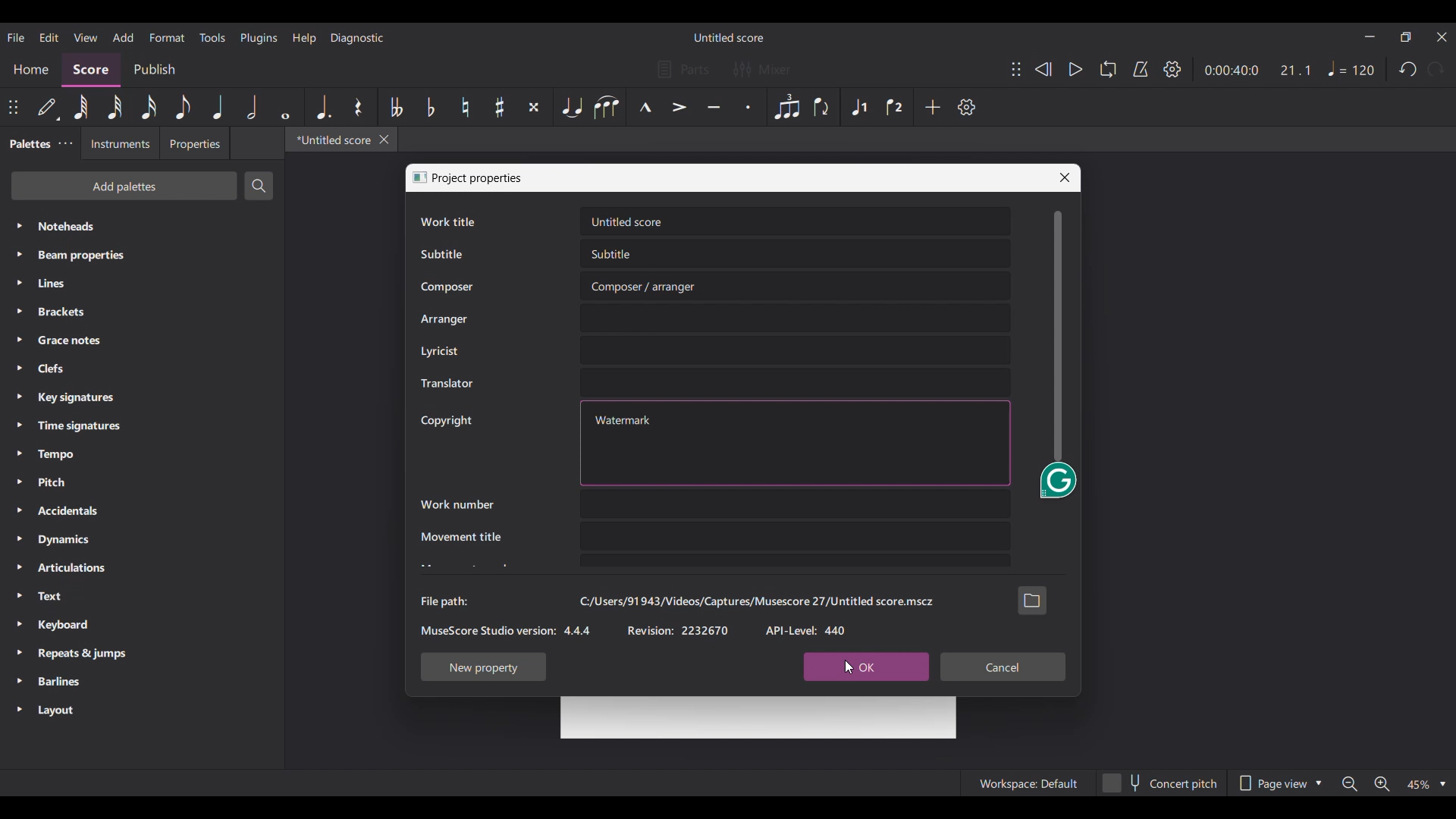 The image size is (1456, 819). I want to click on Beam properties, so click(143, 256).